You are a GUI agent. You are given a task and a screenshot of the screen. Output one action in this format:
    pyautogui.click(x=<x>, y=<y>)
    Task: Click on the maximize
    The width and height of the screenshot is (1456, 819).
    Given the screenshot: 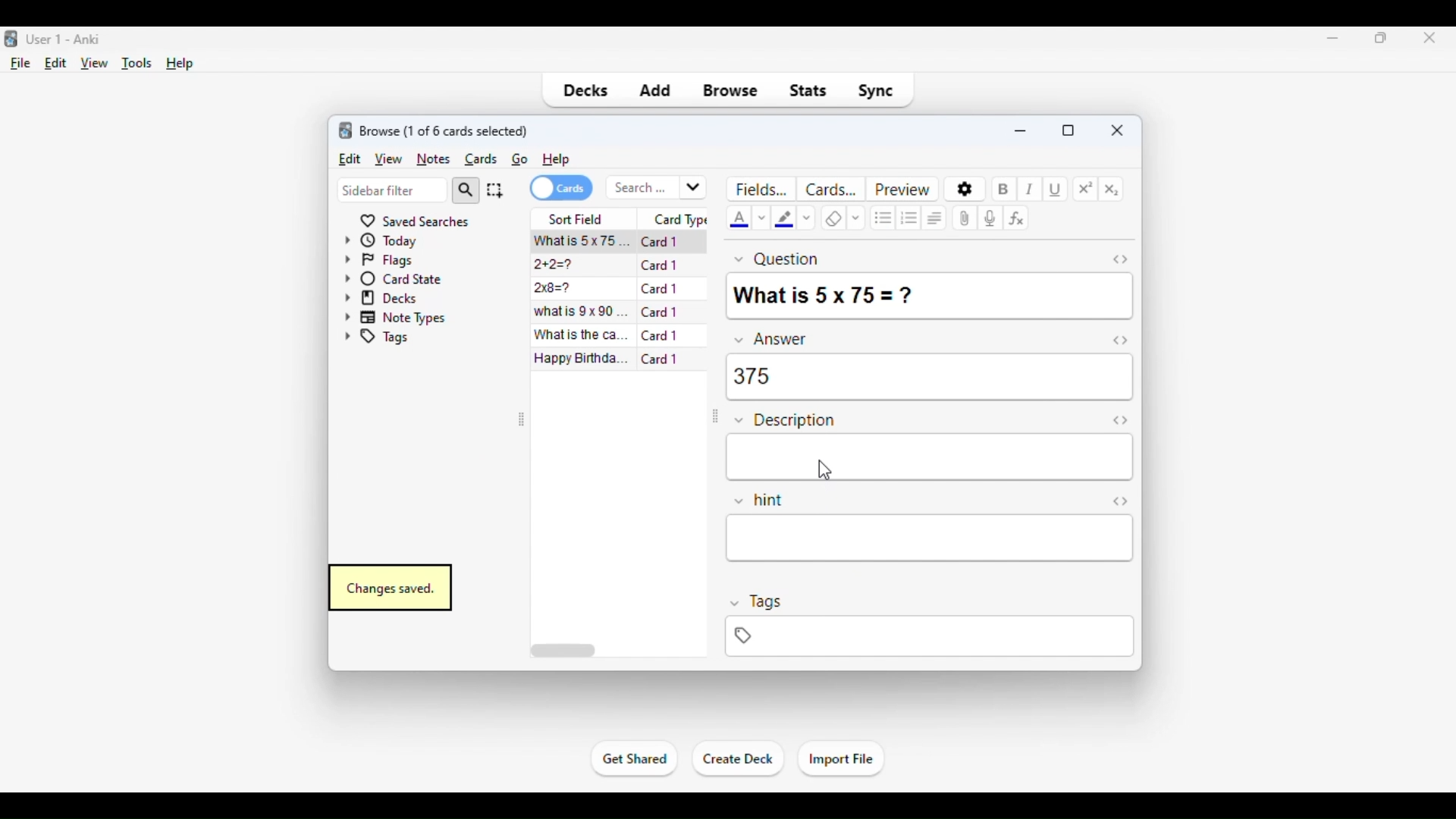 What is the action you would take?
    pyautogui.click(x=1068, y=130)
    